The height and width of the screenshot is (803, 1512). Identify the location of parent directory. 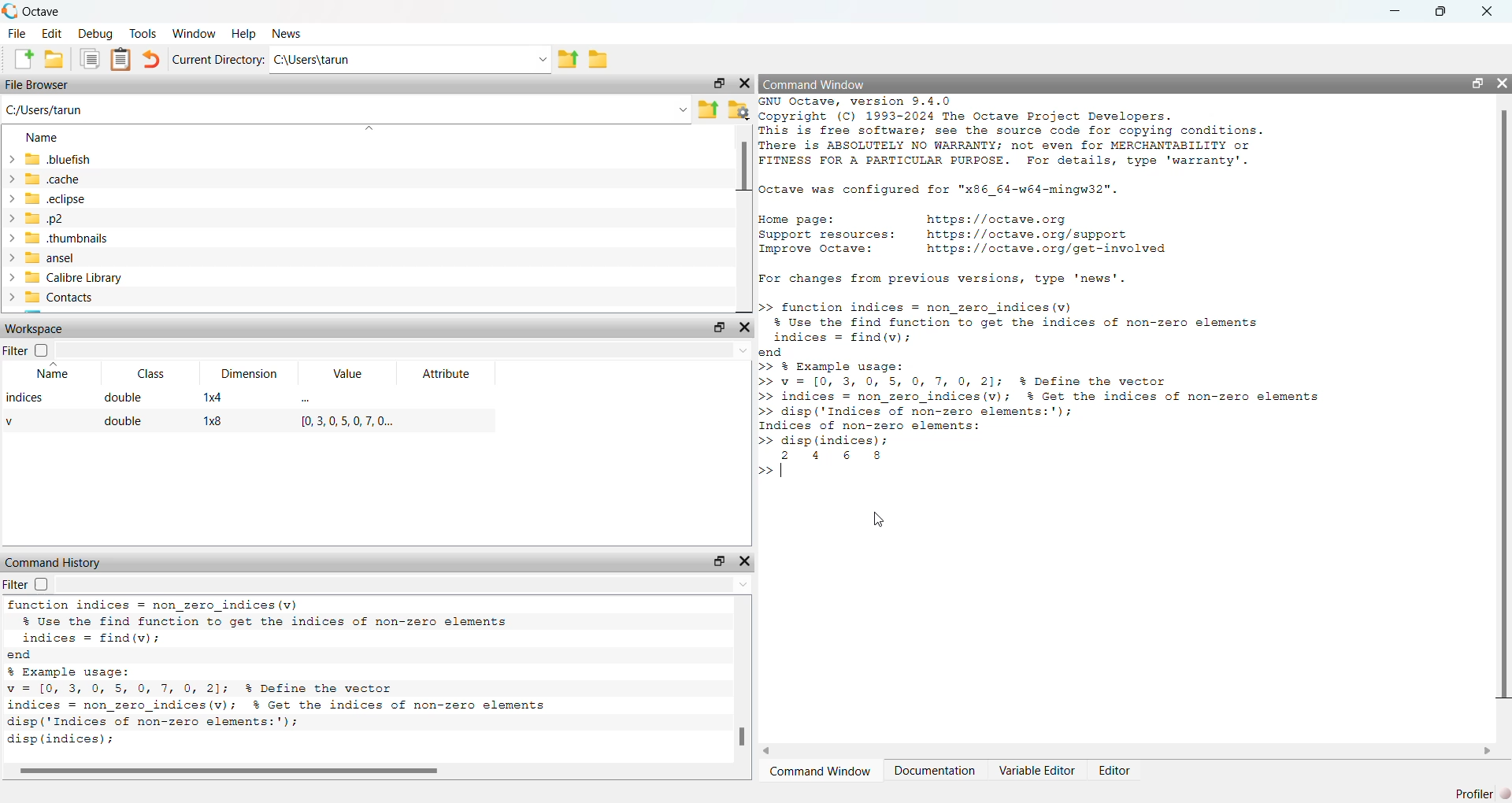
(711, 109).